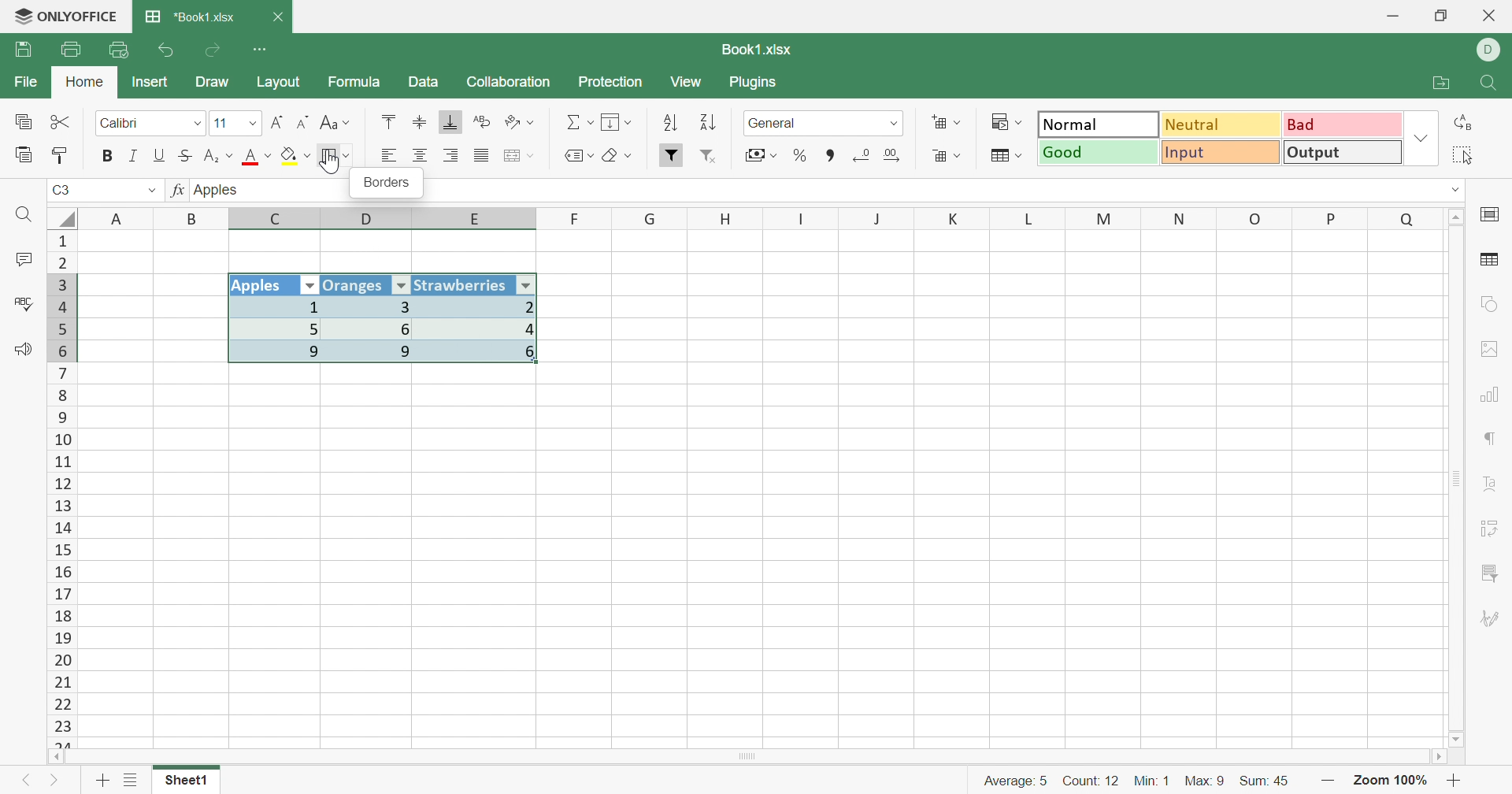 The image size is (1512, 794). Describe the element at coordinates (453, 155) in the screenshot. I see `Align Right` at that location.